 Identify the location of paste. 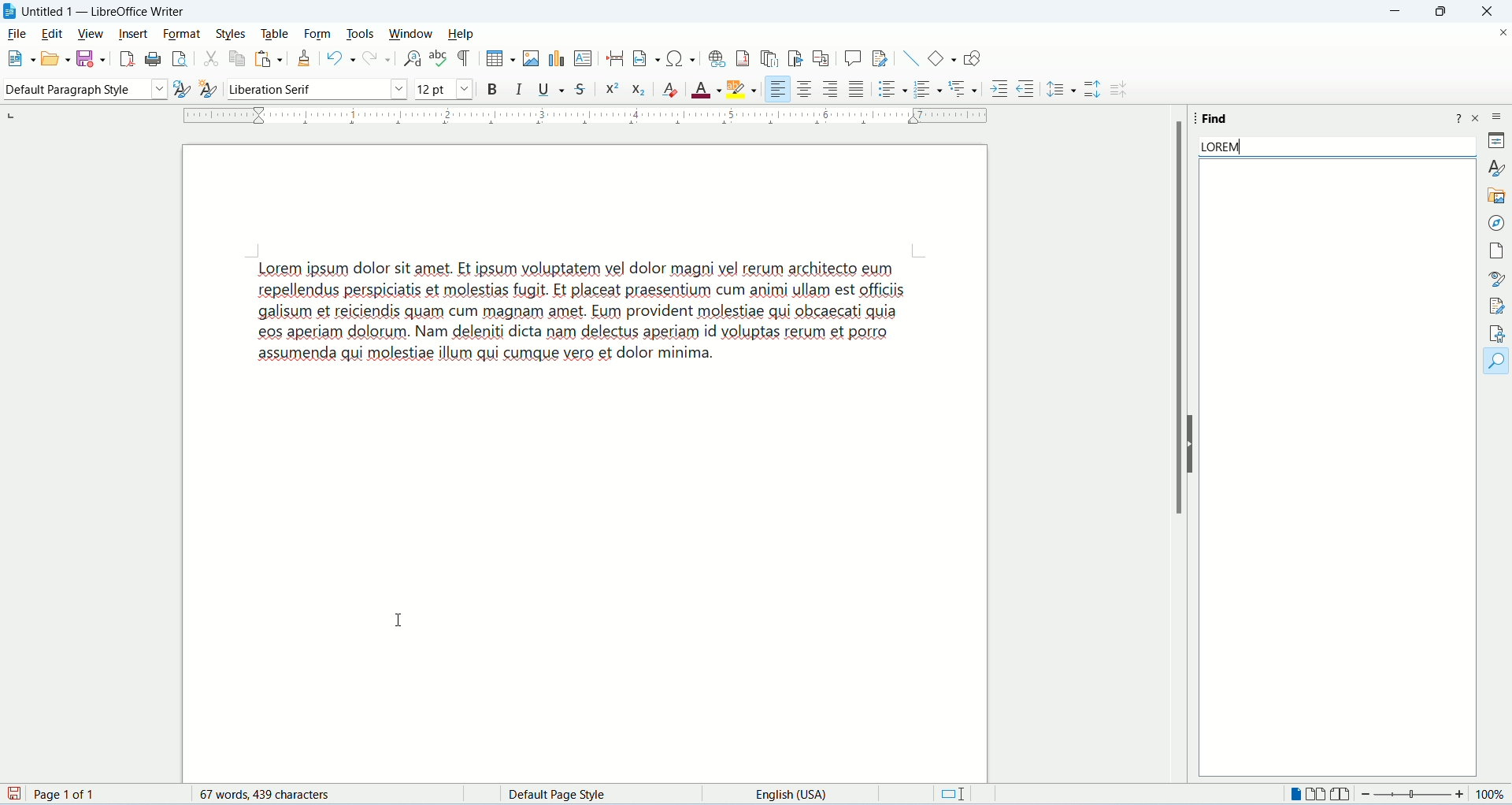
(267, 58).